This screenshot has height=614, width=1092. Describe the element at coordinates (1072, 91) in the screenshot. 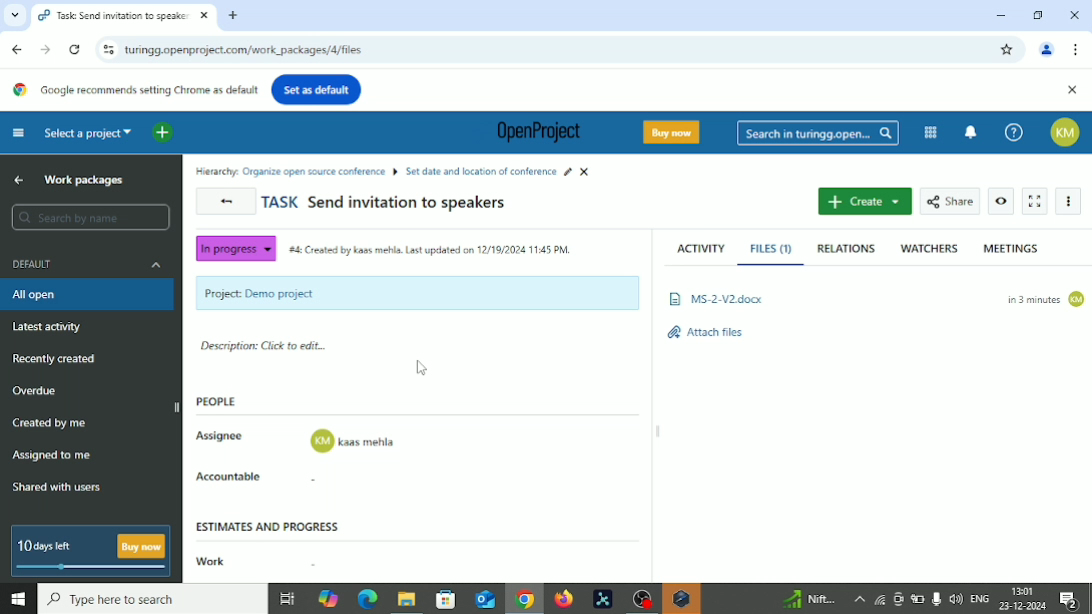

I see `Close` at that location.